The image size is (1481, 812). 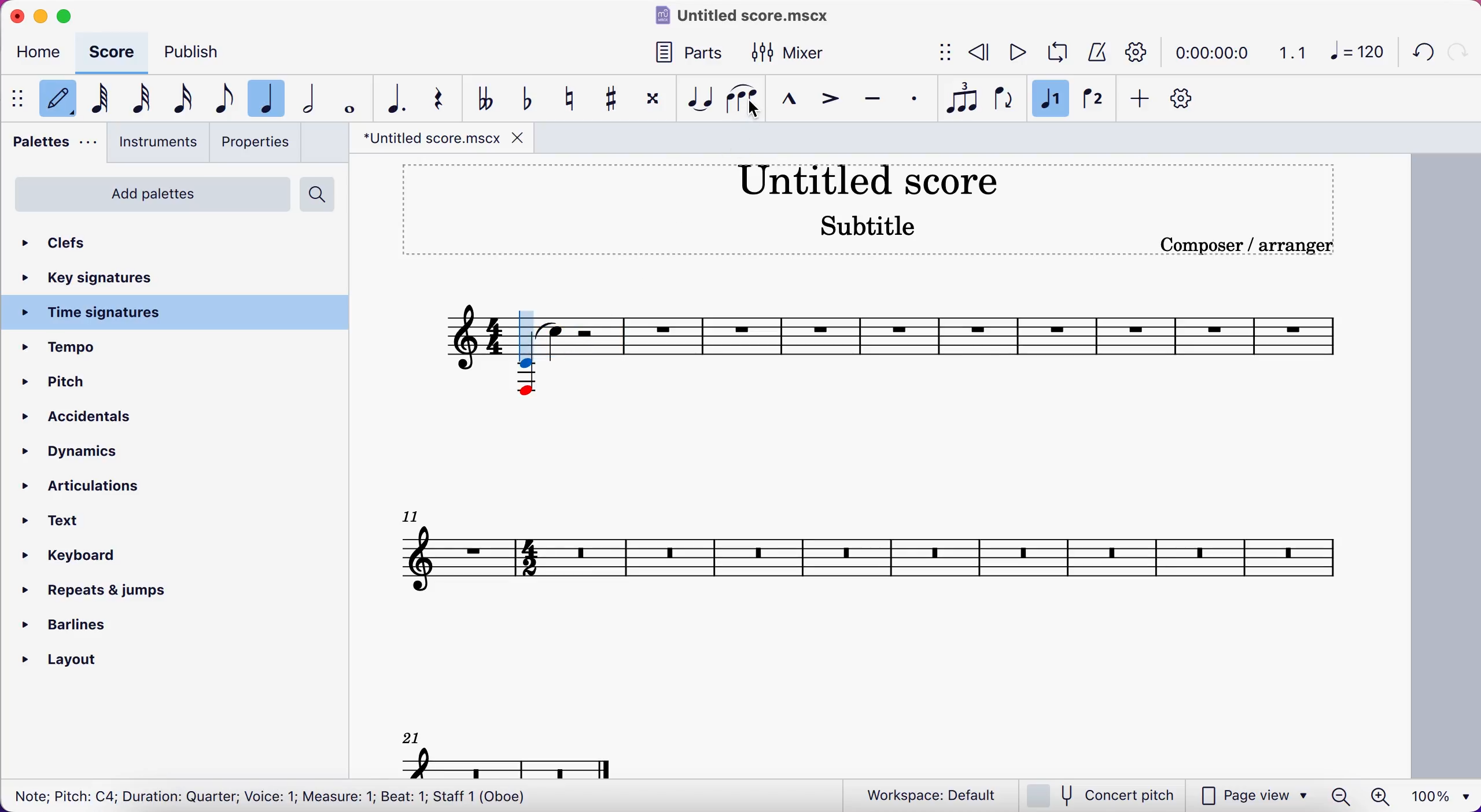 What do you see at coordinates (268, 795) in the screenshot?
I see `note: pitch: c4; duration: quarter; voice 1; measure 1; beat: 1, staff 1 (oboe)` at bounding box center [268, 795].